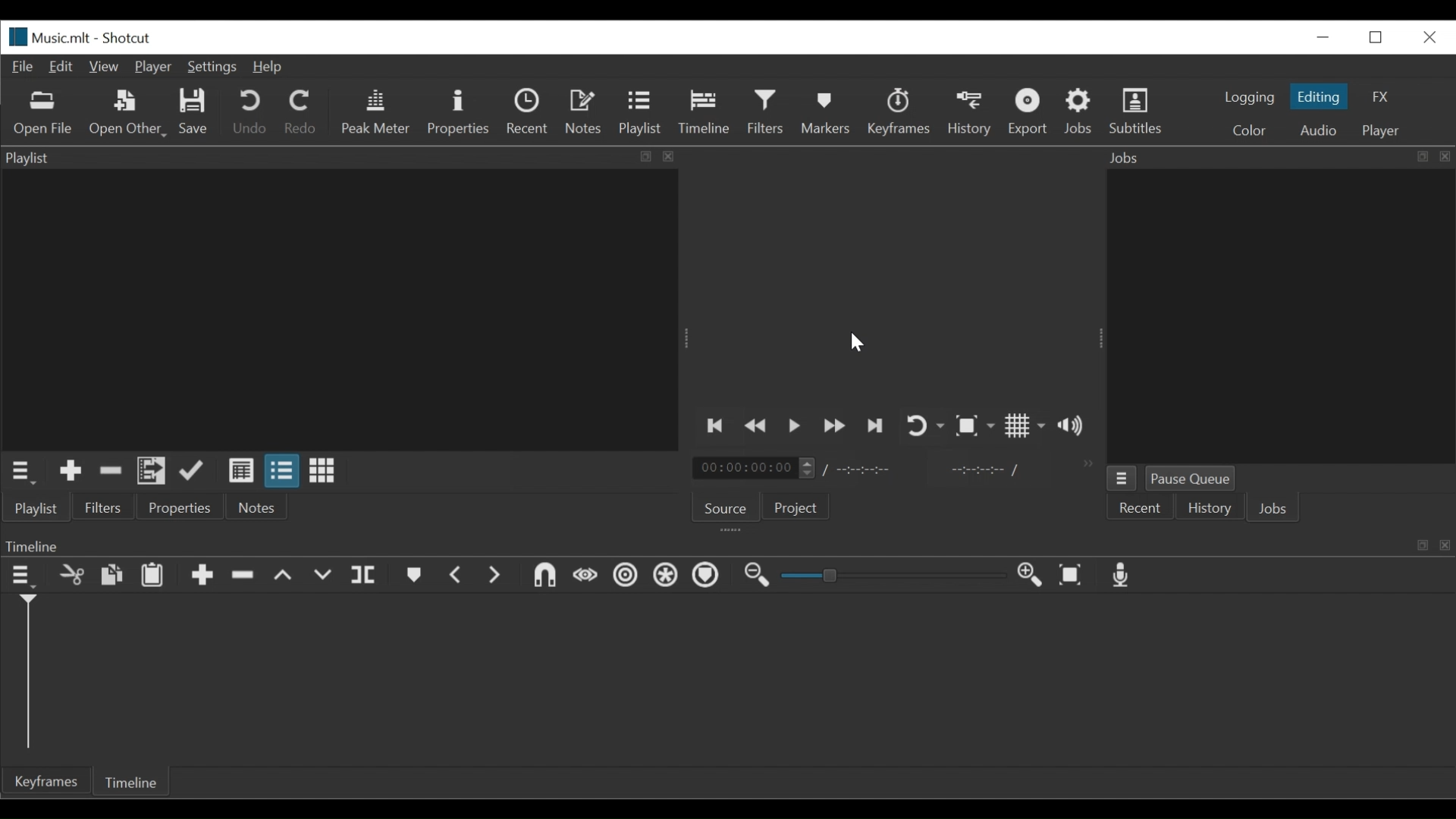 The height and width of the screenshot is (819, 1456). I want to click on Skip to the next point, so click(875, 427).